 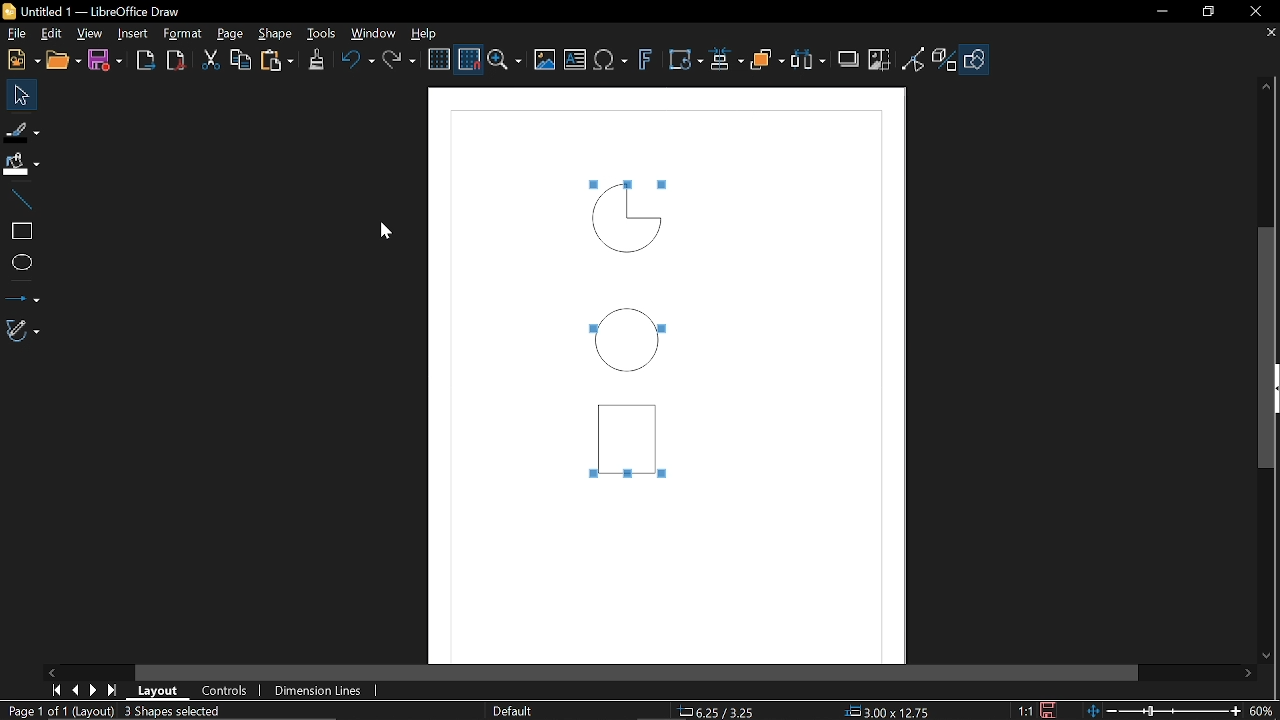 I want to click on Fill line, so click(x=22, y=130).